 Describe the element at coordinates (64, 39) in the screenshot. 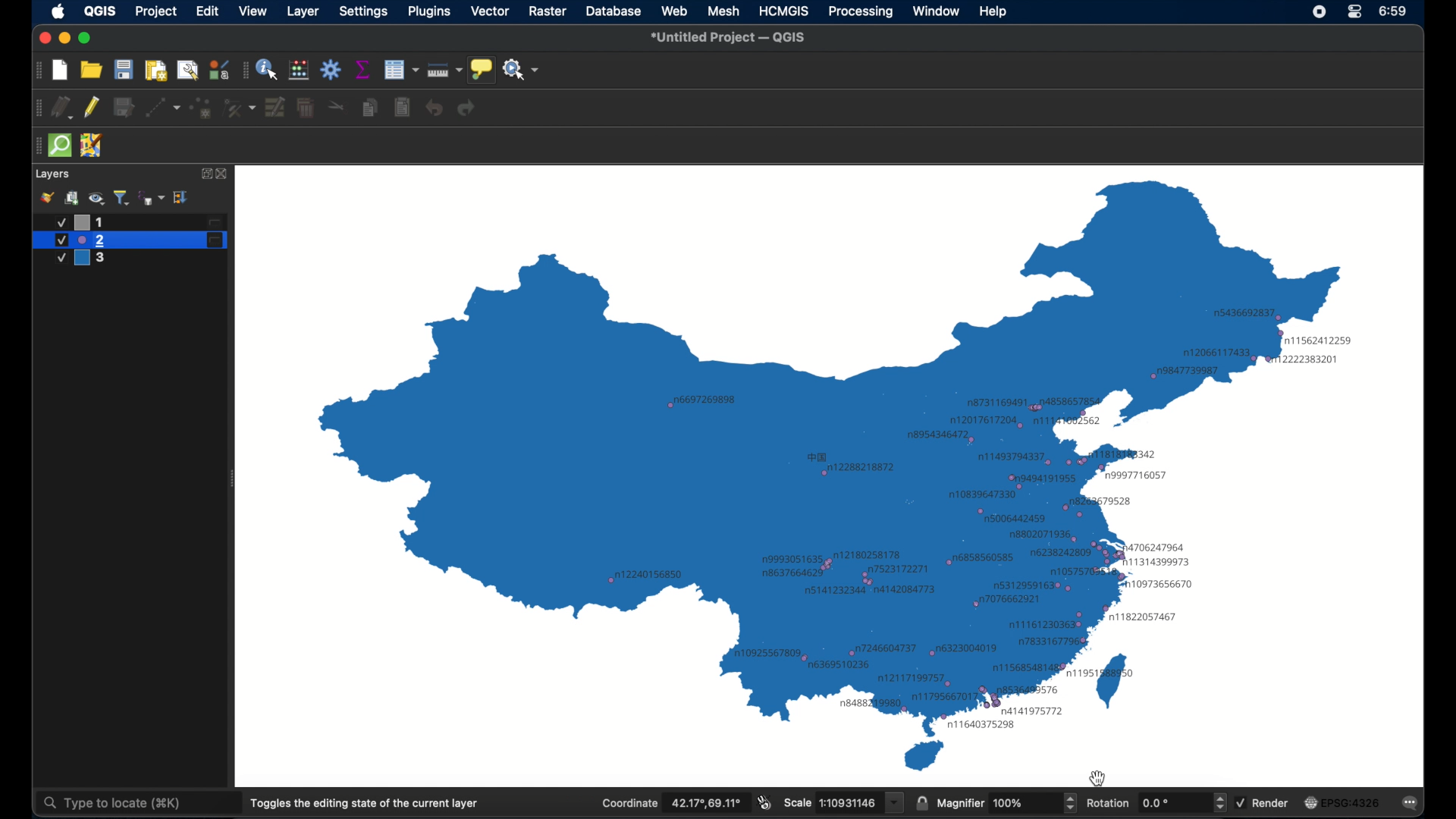

I see `minimize` at that location.